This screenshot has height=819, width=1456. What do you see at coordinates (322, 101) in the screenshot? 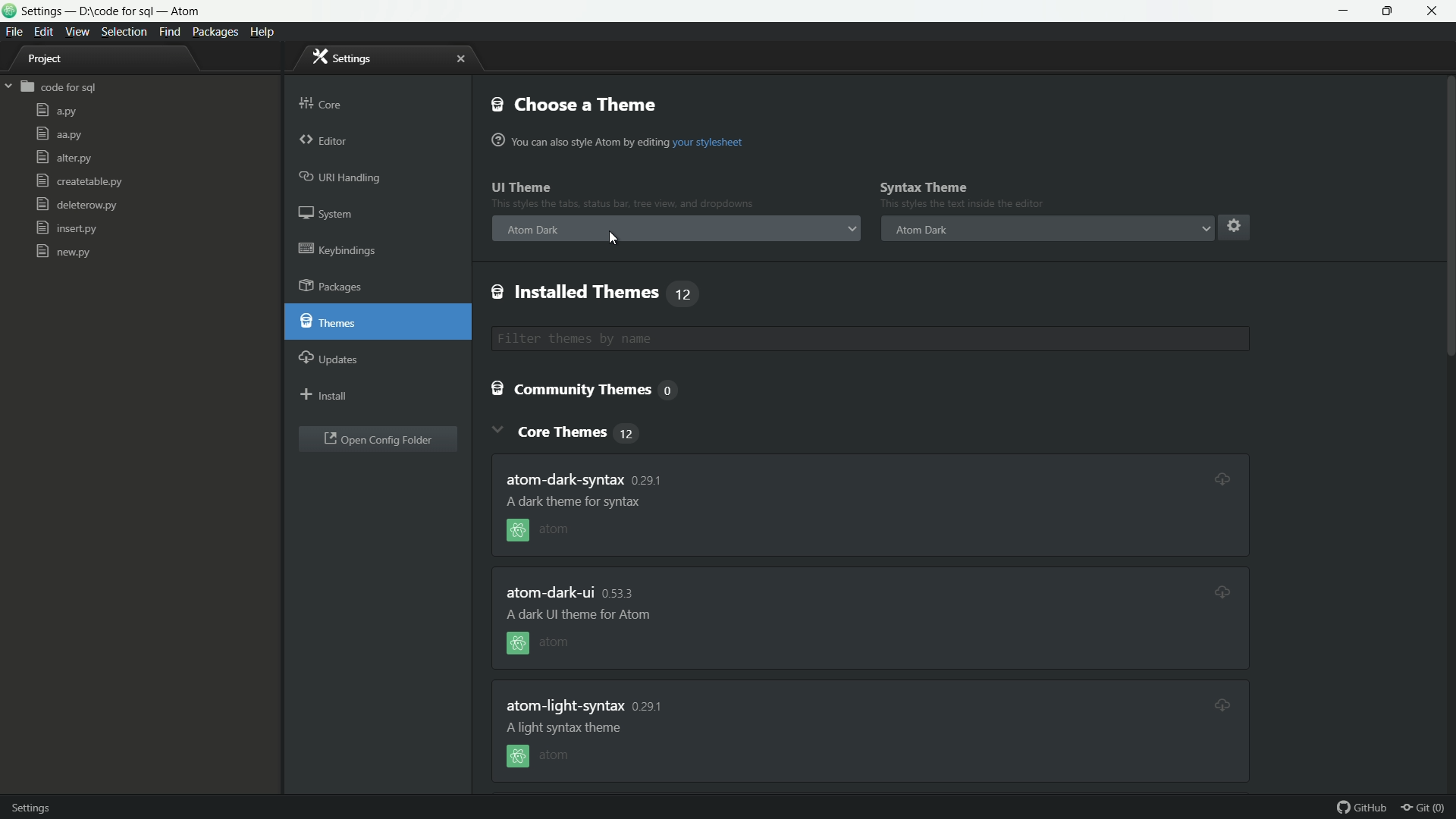
I see `core` at bounding box center [322, 101].